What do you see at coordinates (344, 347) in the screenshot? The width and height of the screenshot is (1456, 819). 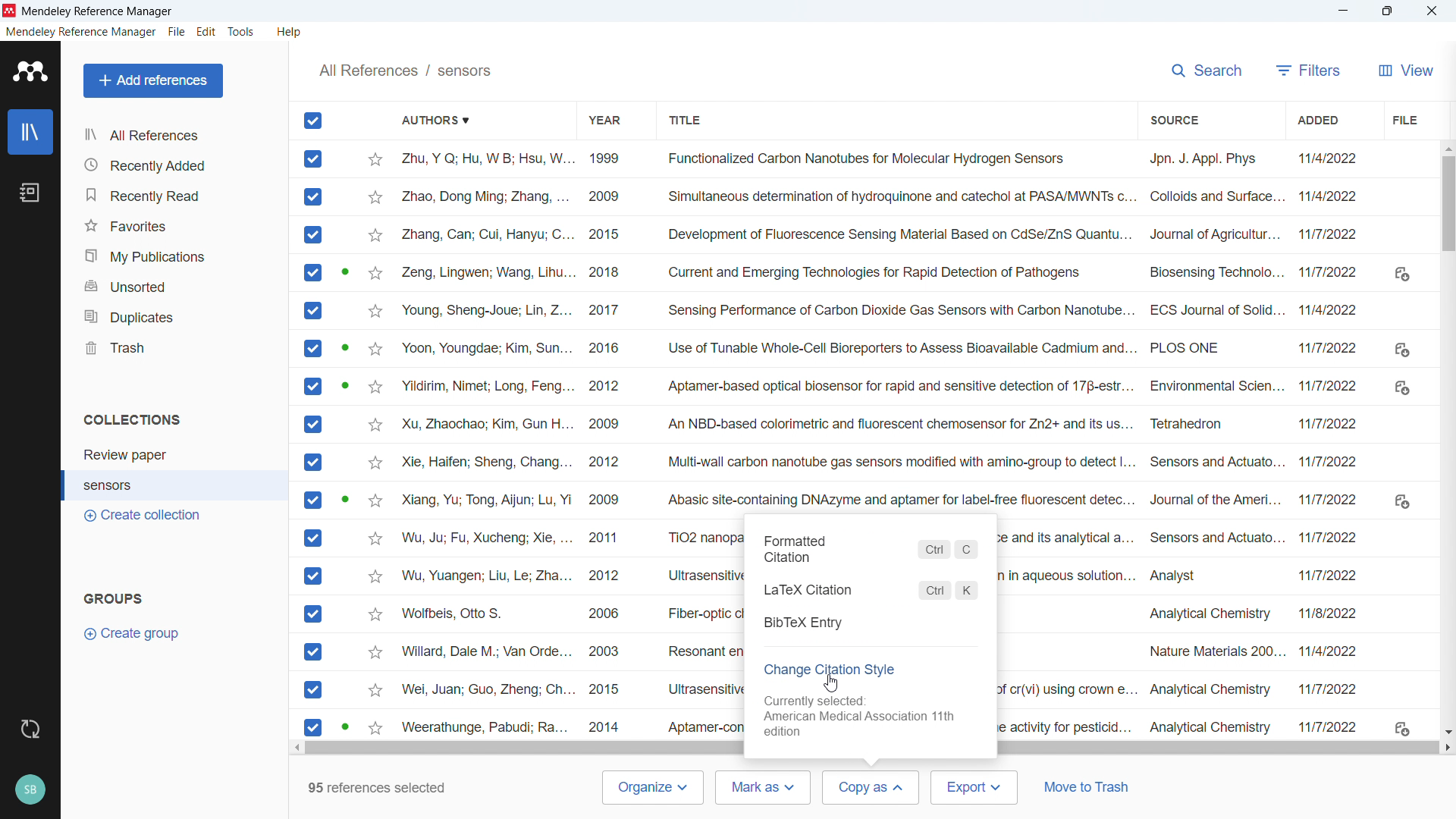 I see `PDF available` at bounding box center [344, 347].